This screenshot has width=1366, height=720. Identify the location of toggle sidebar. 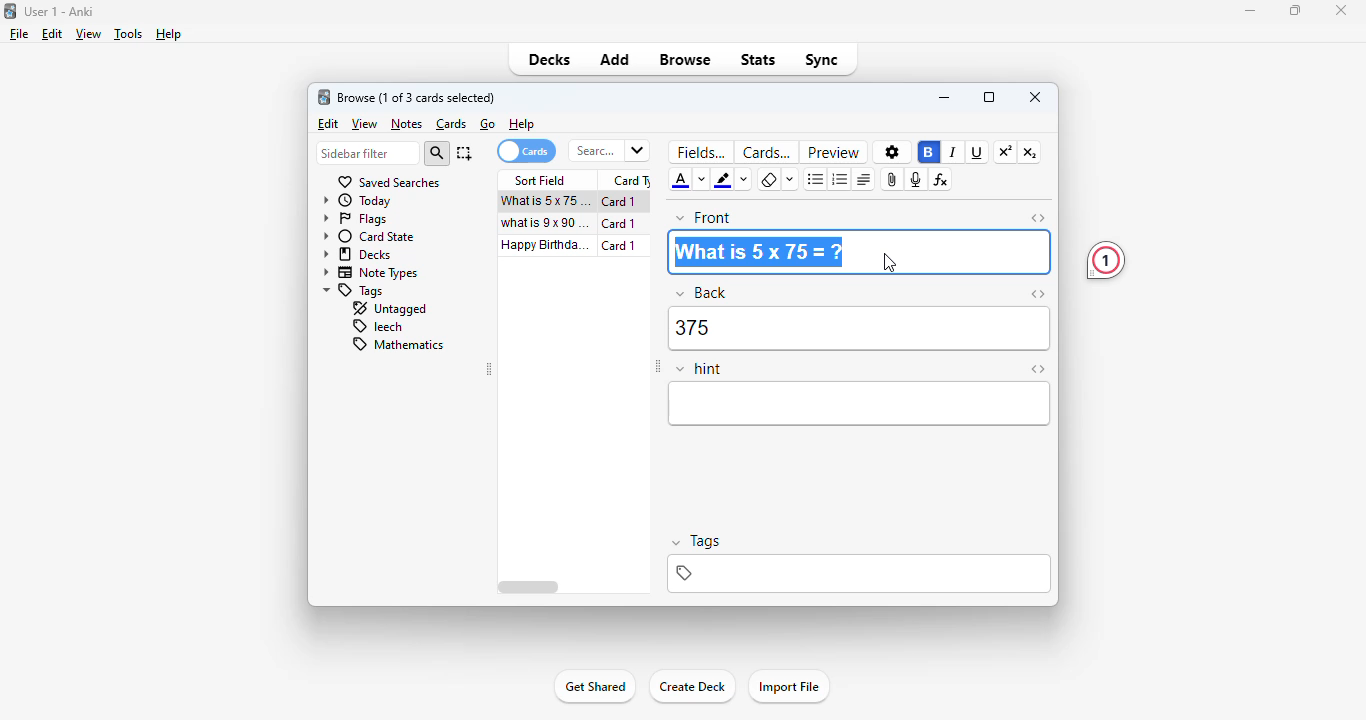
(657, 367).